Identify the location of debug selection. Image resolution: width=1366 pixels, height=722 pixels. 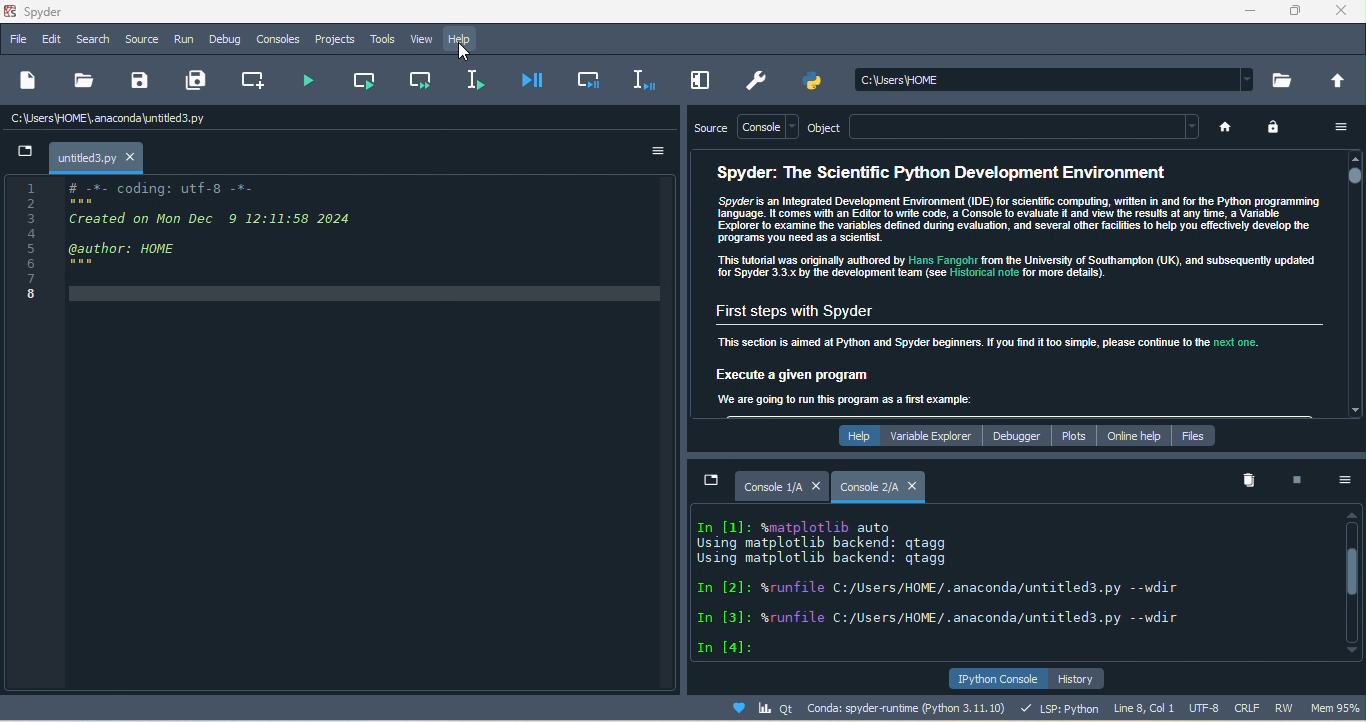
(637, 79).